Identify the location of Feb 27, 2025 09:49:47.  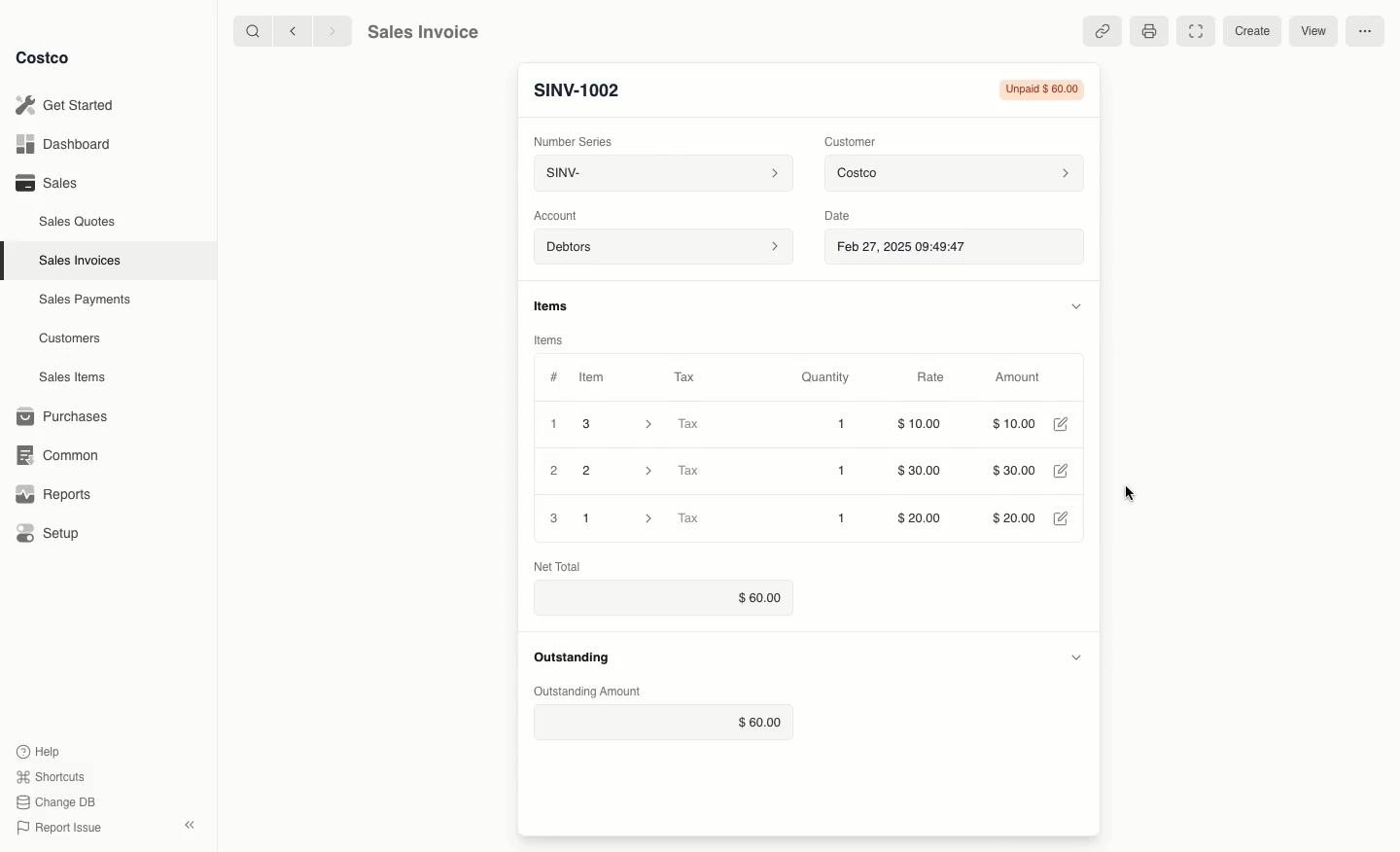
(947, 246).